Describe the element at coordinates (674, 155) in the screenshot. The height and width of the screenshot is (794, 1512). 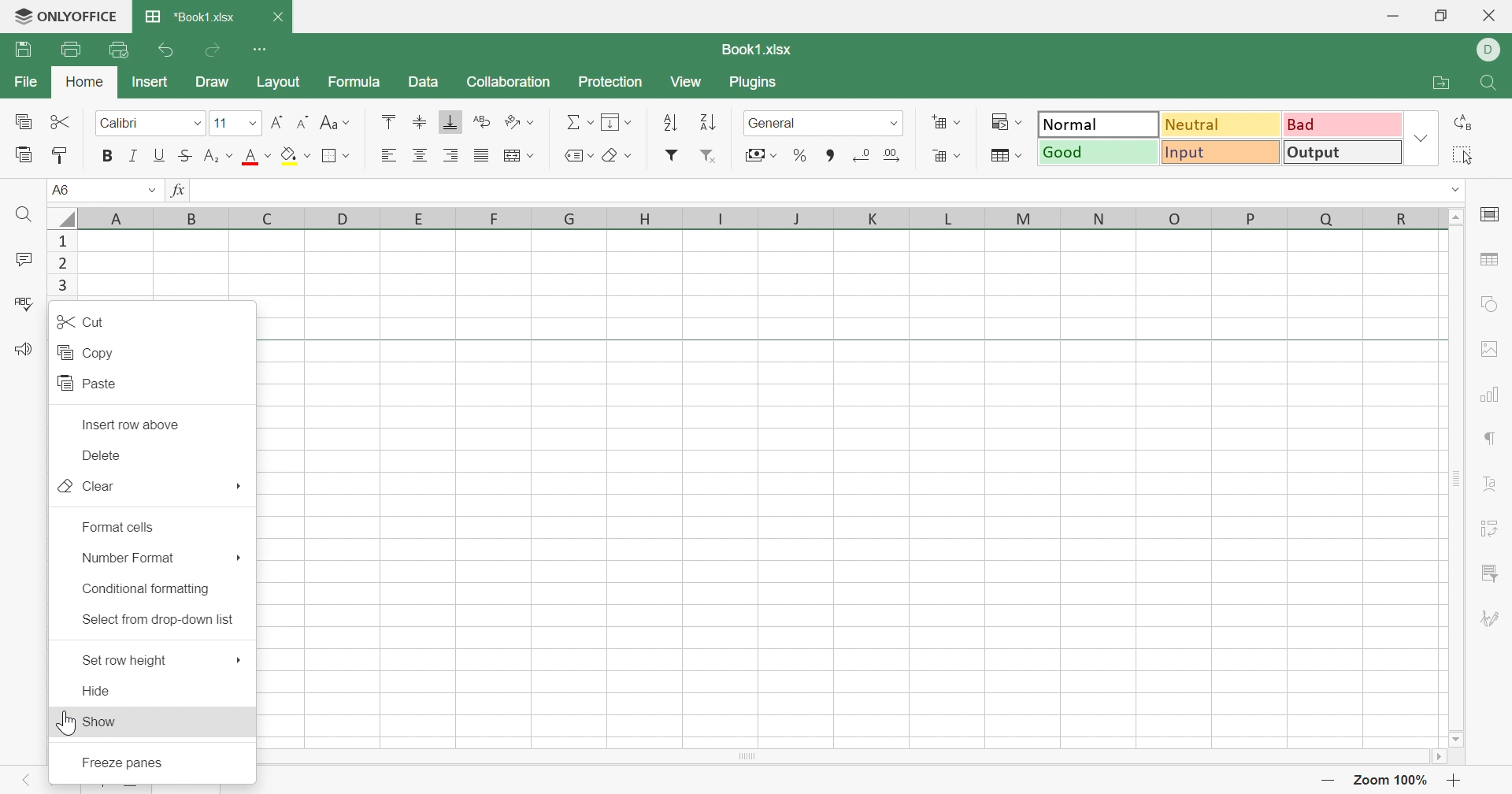
I see `Insert filter` at that location.